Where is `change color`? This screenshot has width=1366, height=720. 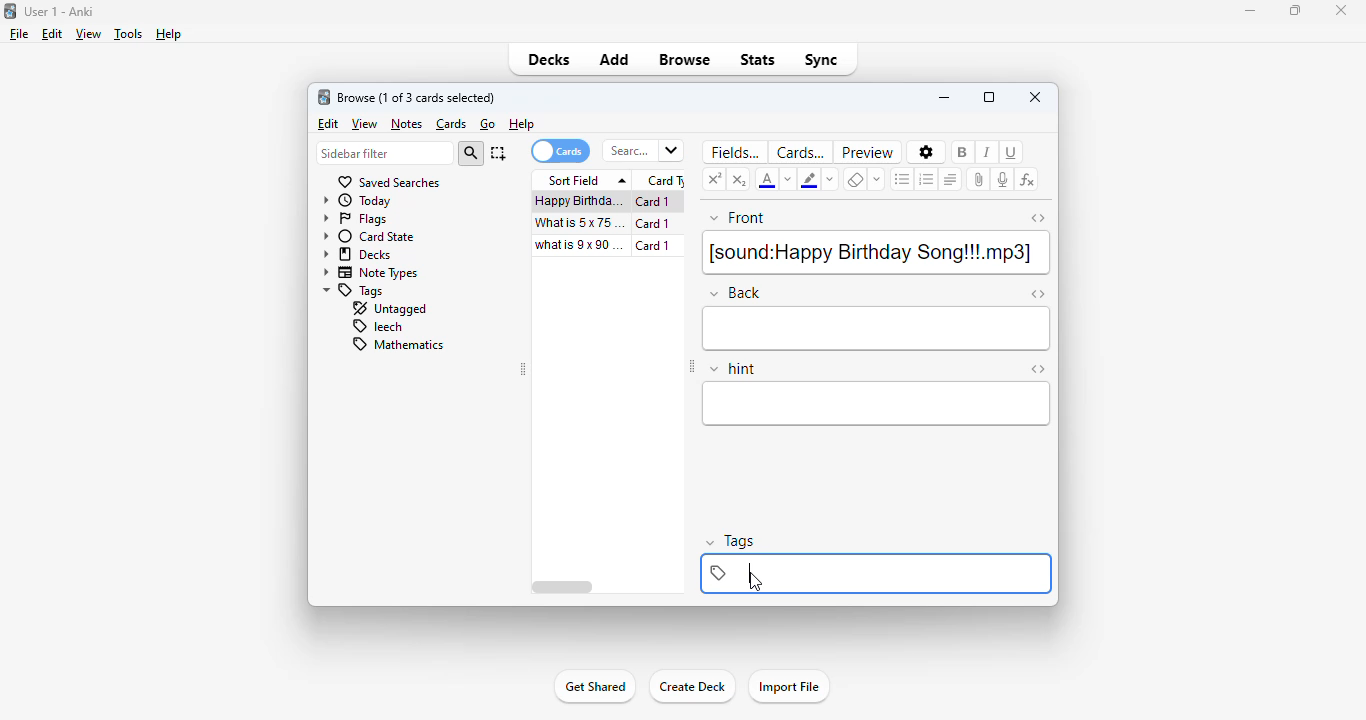 change color is located at coordinates (789, 180).